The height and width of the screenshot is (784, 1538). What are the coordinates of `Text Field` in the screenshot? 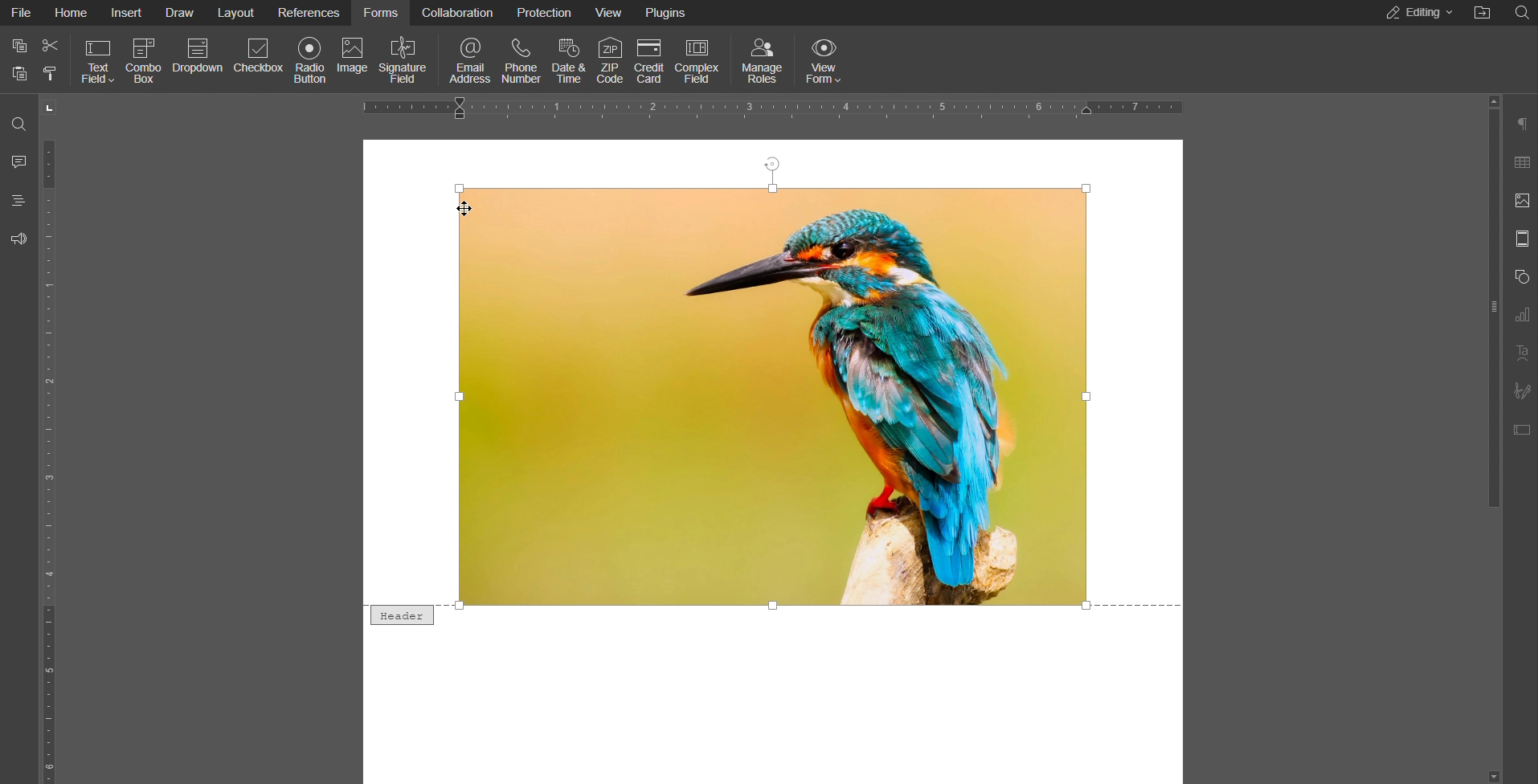 It's located at (97, 59).